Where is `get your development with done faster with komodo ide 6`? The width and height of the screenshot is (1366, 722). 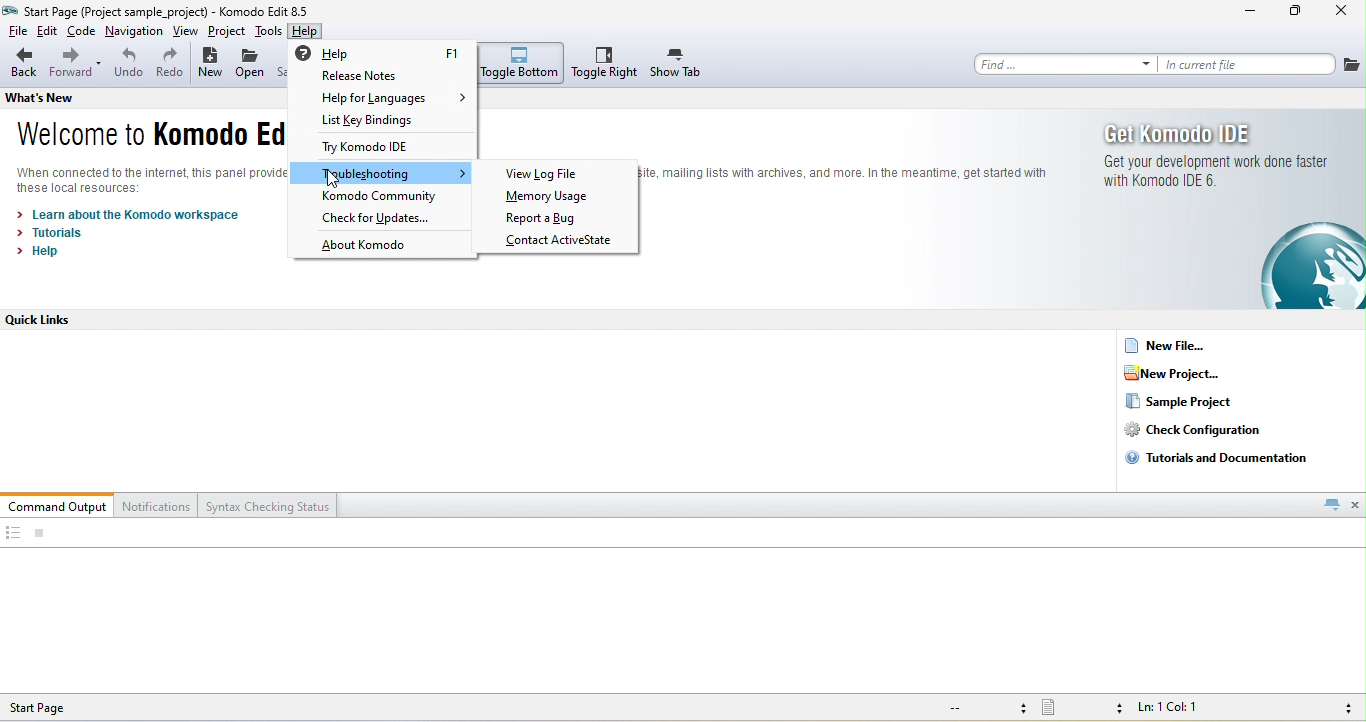 get your development with done faster with komodo ide 6 is located at coordinates (1212, 172).